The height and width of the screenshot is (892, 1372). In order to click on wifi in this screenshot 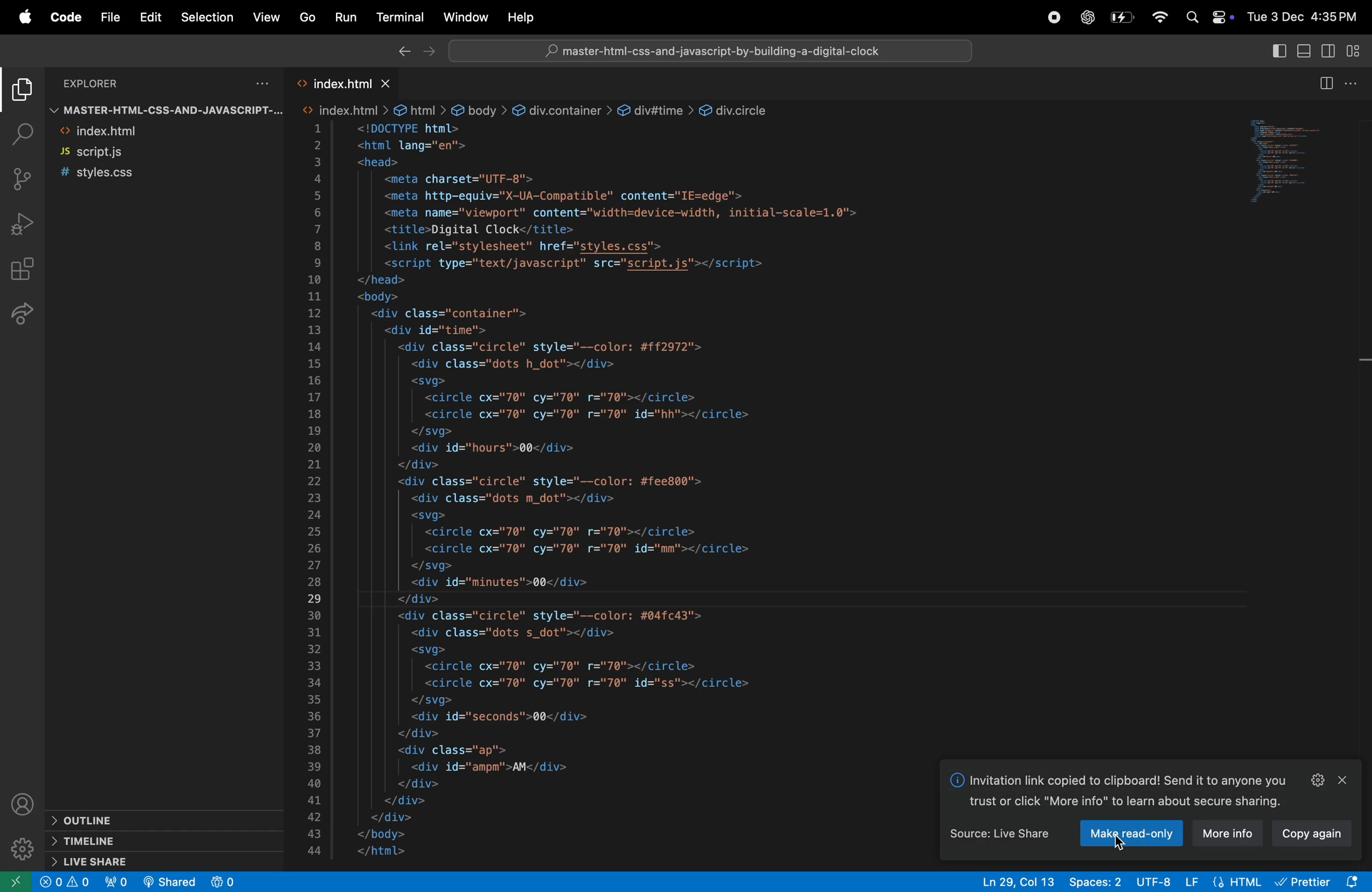, I will do `click(1157, 17)`.